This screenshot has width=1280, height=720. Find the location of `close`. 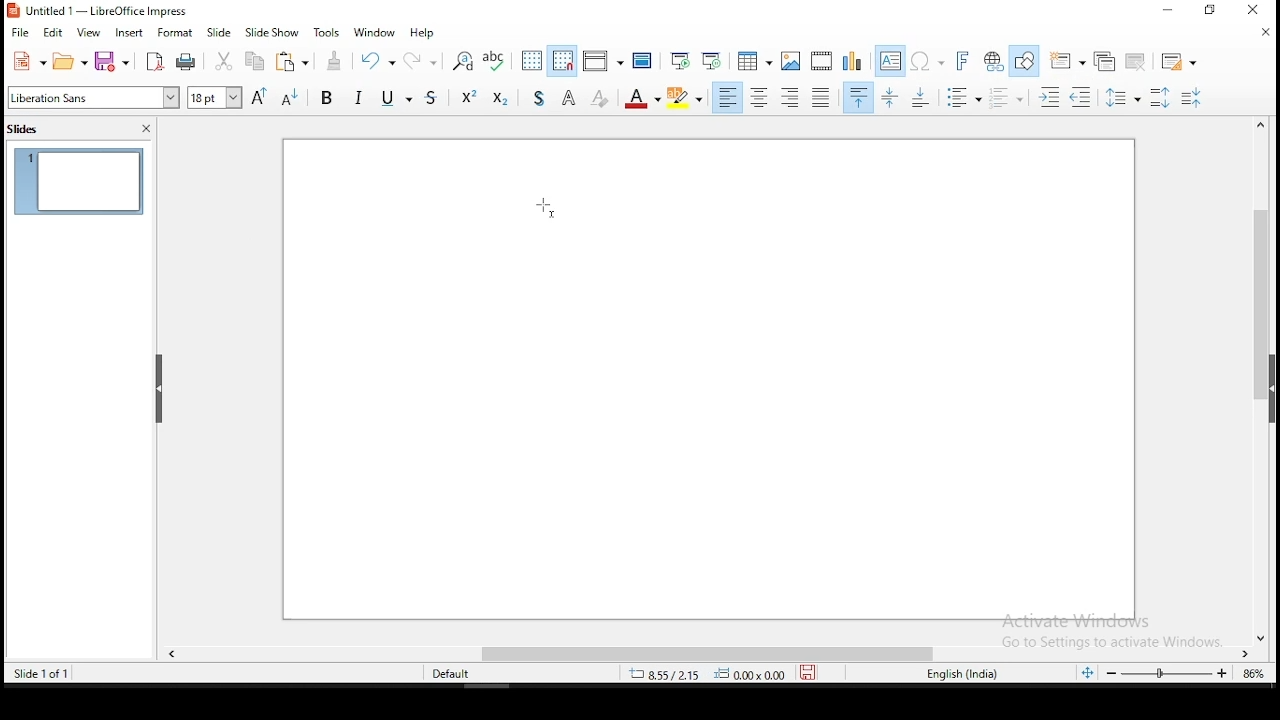

close is located at coordinates (1260, 34).